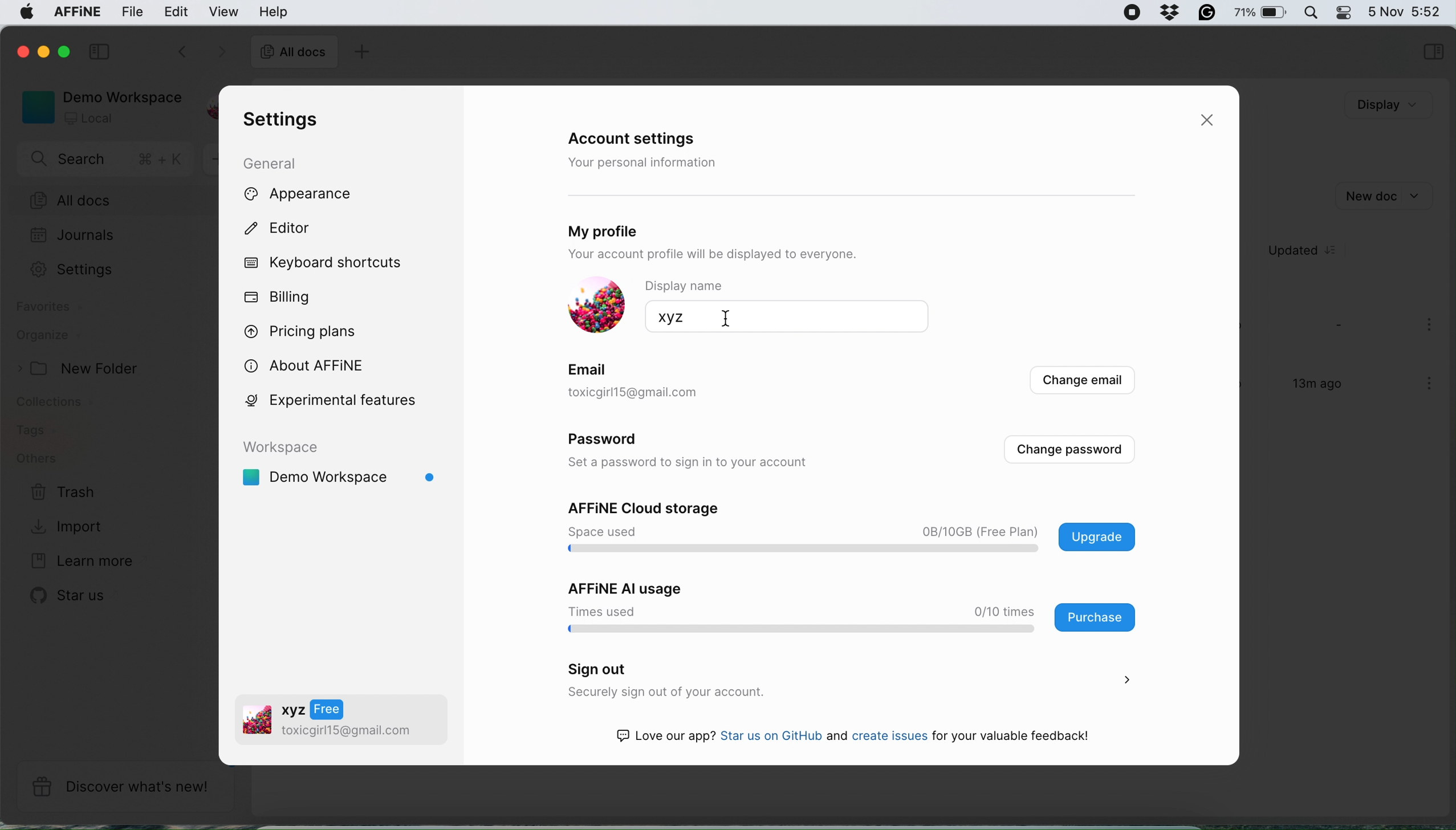 The height and width of the screenshot is (830, 1456). Describe the element at coordinates (226, 11) in the screenshot. I see `view` at that location.